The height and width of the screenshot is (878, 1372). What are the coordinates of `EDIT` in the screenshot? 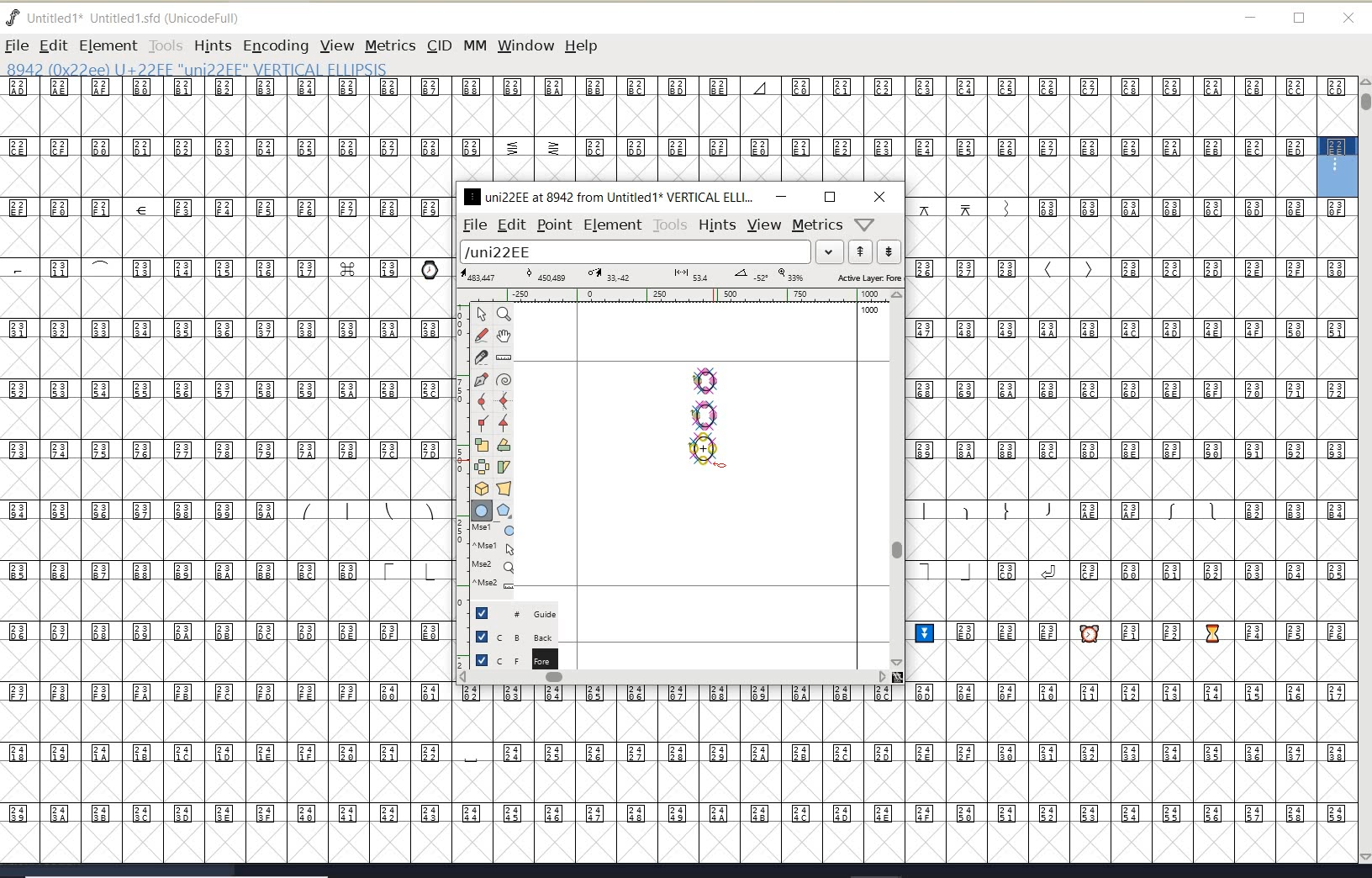 It's located at (53, 45).